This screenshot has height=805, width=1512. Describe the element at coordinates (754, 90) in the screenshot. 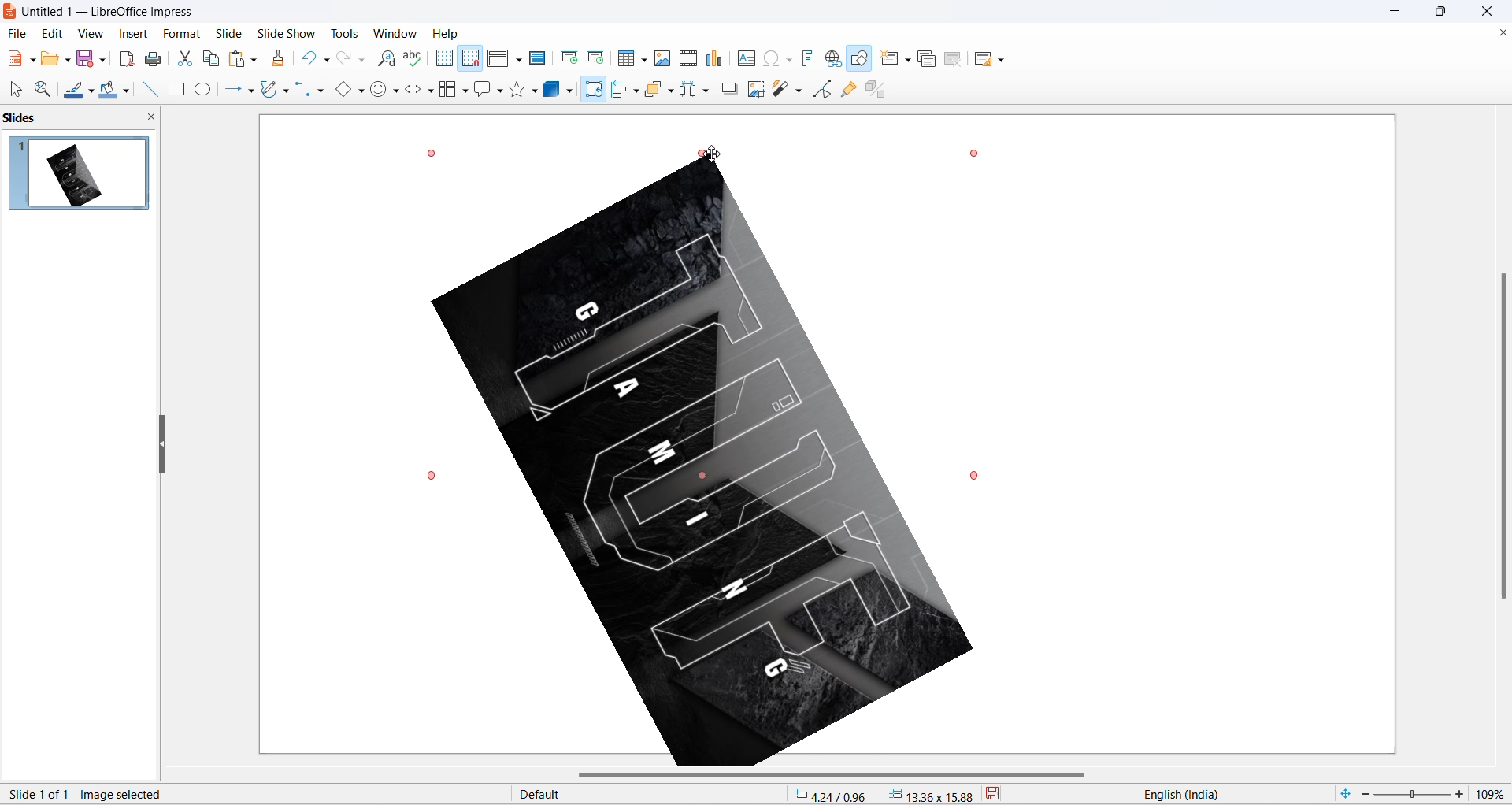

I see `crop image` at that location.